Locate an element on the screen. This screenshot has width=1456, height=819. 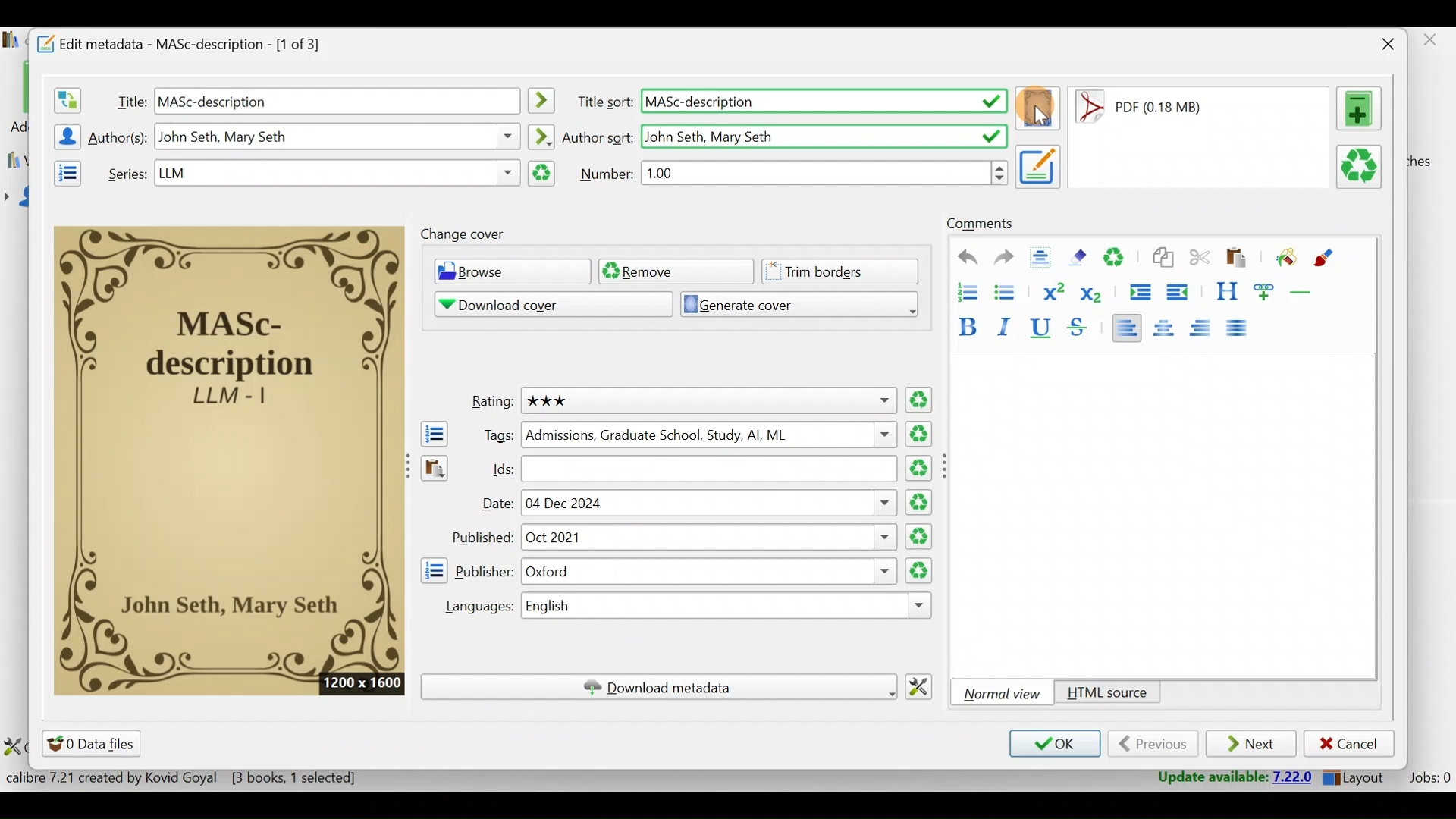
Layouts is located at coordinates (1358, 777).